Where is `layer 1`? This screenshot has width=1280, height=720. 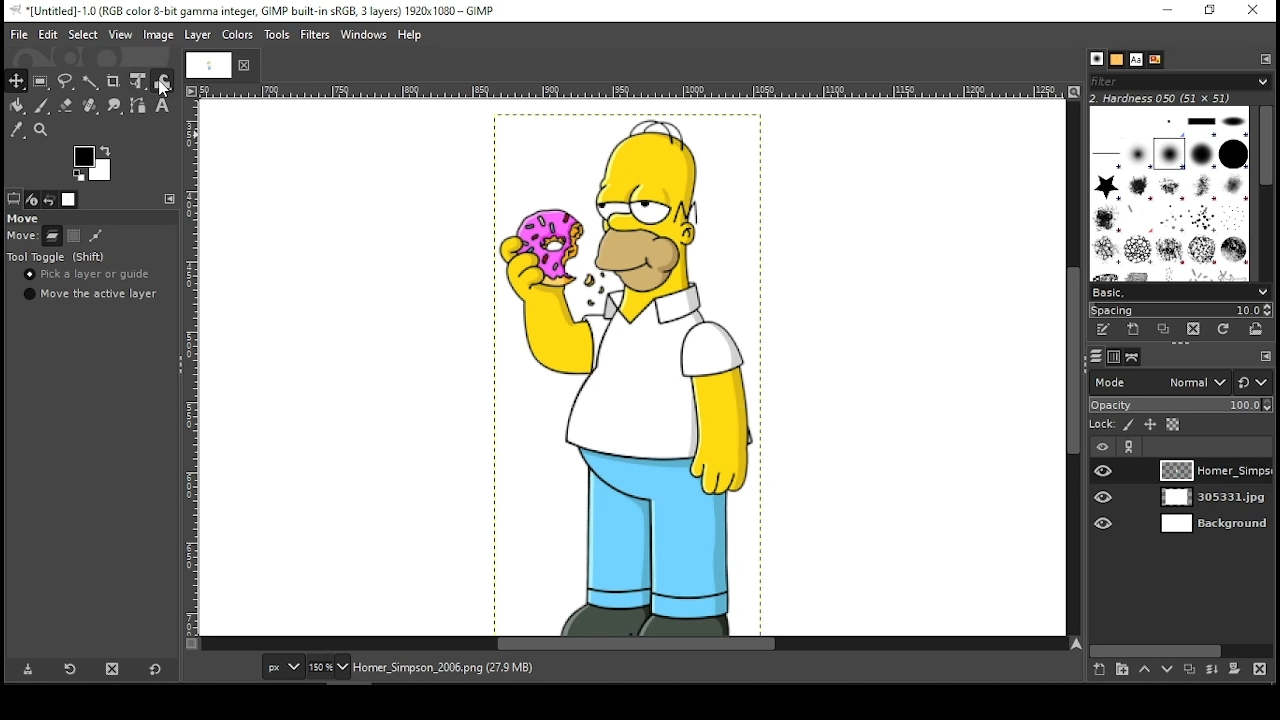
layer 1 is located at coordinates (1214, 471).